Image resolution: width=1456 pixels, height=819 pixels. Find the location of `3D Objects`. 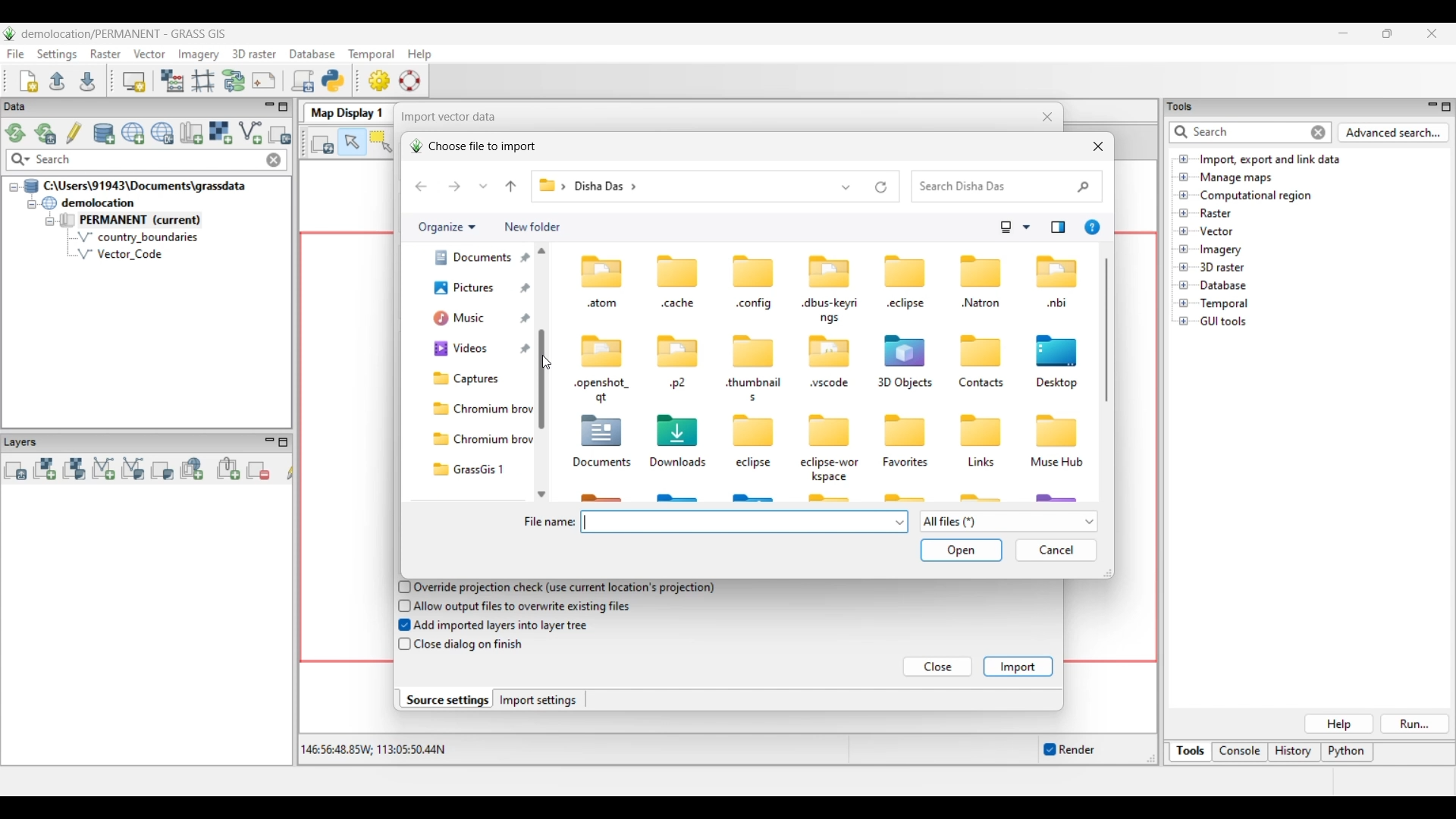

3D Objects is located at coordinates (904, 384).